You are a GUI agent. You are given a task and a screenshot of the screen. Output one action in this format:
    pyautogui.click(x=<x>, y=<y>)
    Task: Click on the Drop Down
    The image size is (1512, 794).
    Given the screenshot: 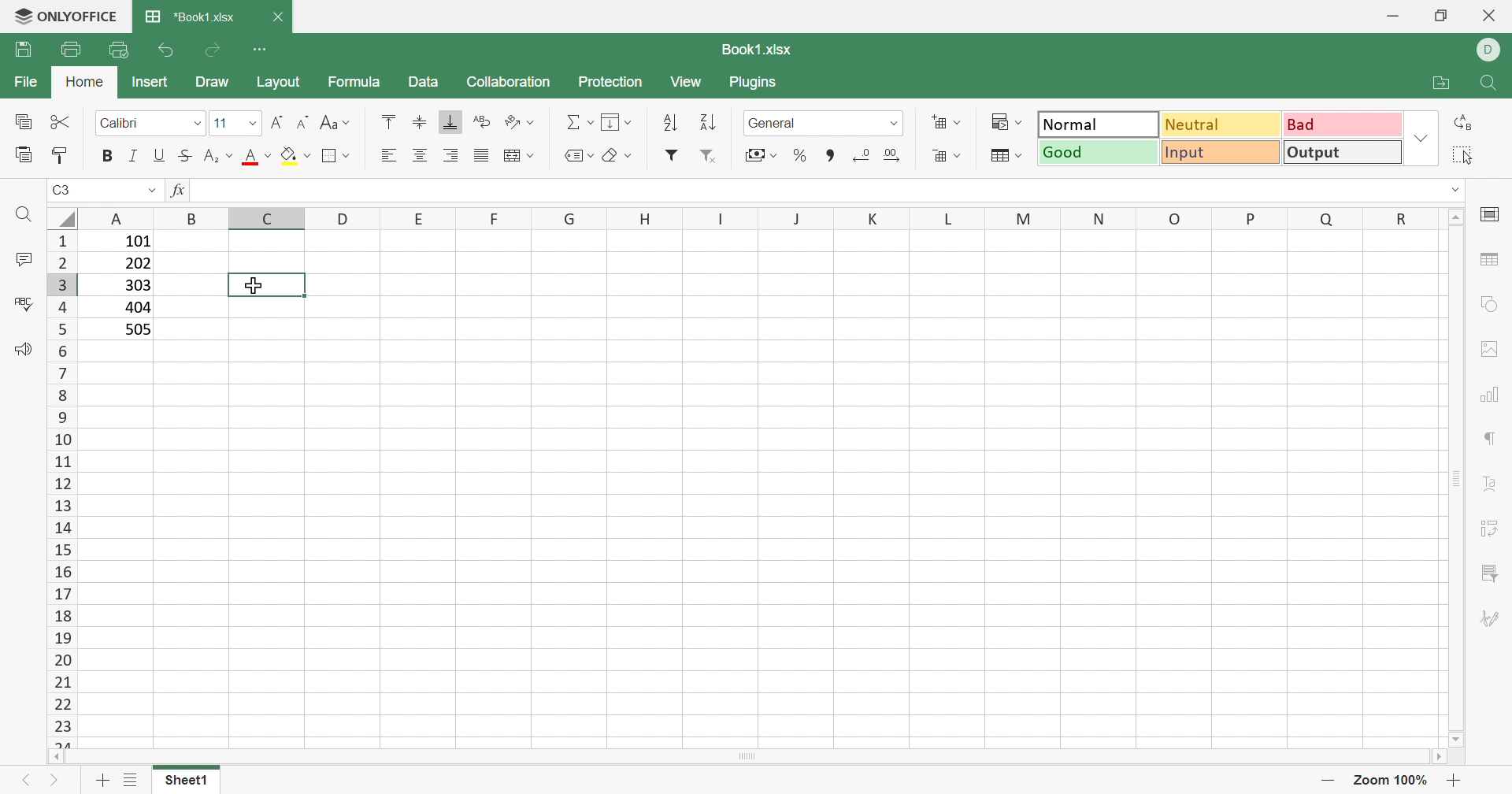 What is the action you would take?
    pyautogui.click(x=1421, y=138)
    